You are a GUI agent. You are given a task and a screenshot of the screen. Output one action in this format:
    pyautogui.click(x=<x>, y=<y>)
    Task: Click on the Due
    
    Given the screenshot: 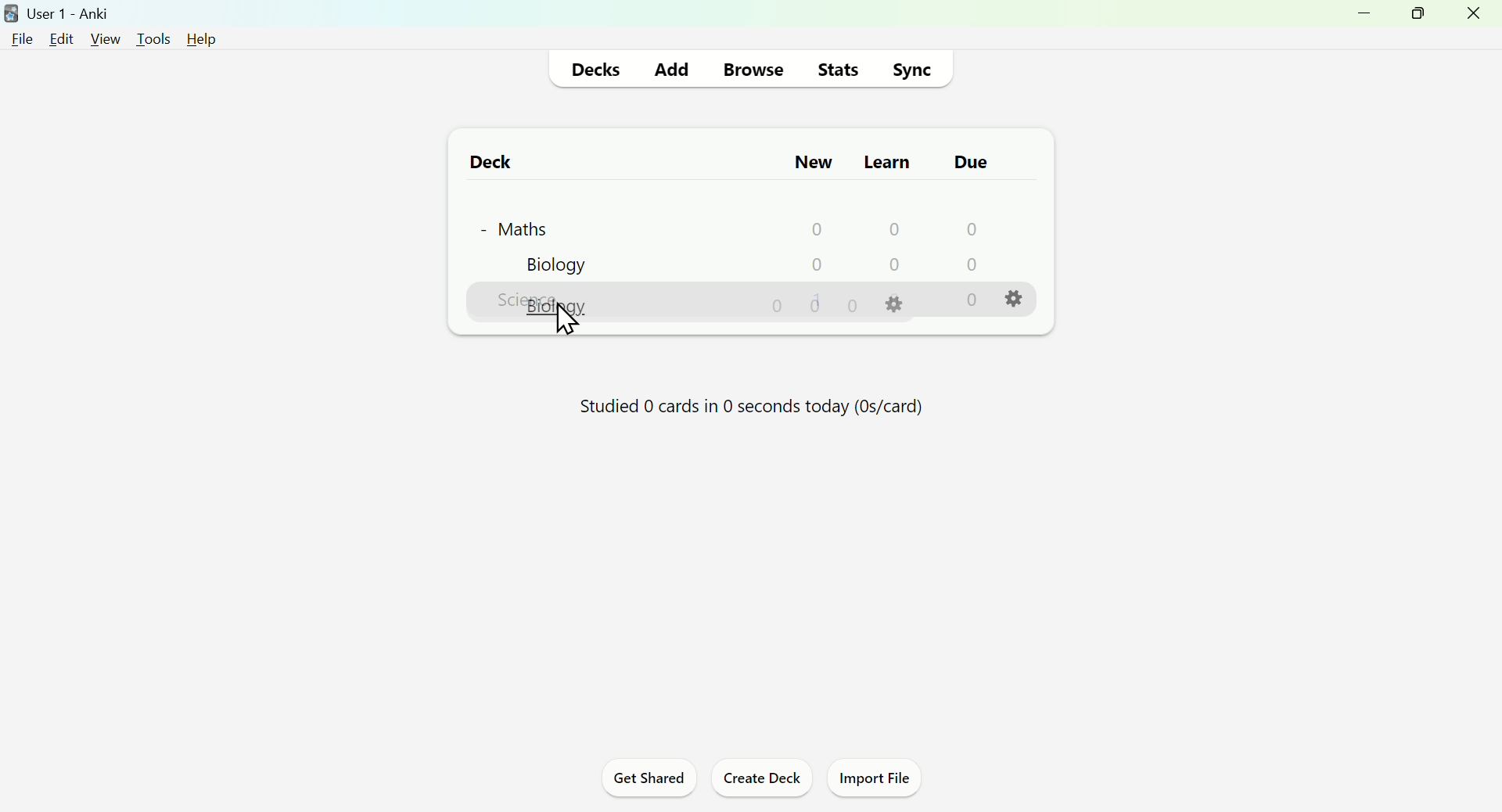 What is the action you would take?
    pyautogui.click(x=966, y=162)
    